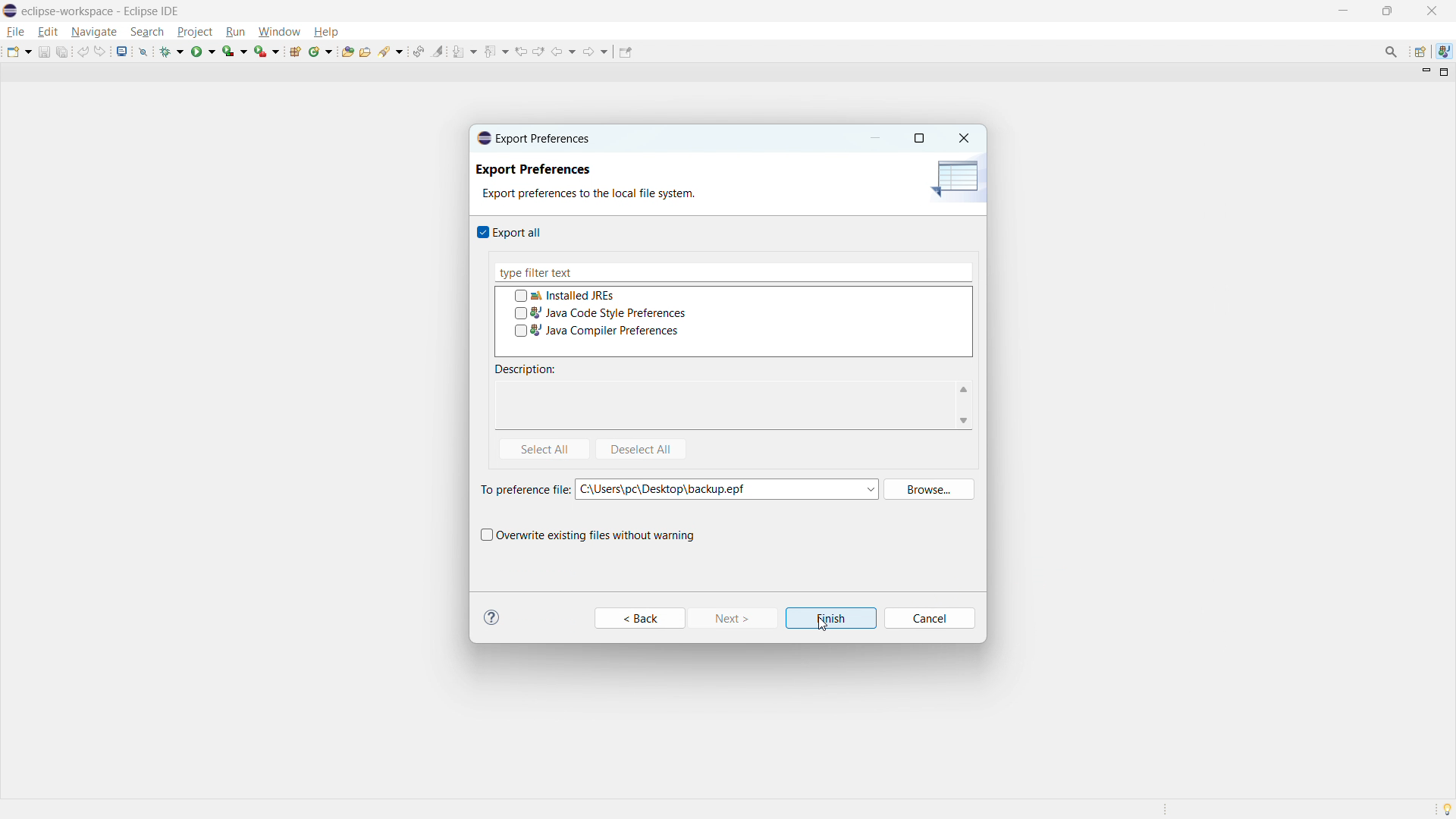 The width and height of the screenshot is (1456, 819). Describe the element at coordinates (93, 33) in the screenshot. I see `navigate` at that location.